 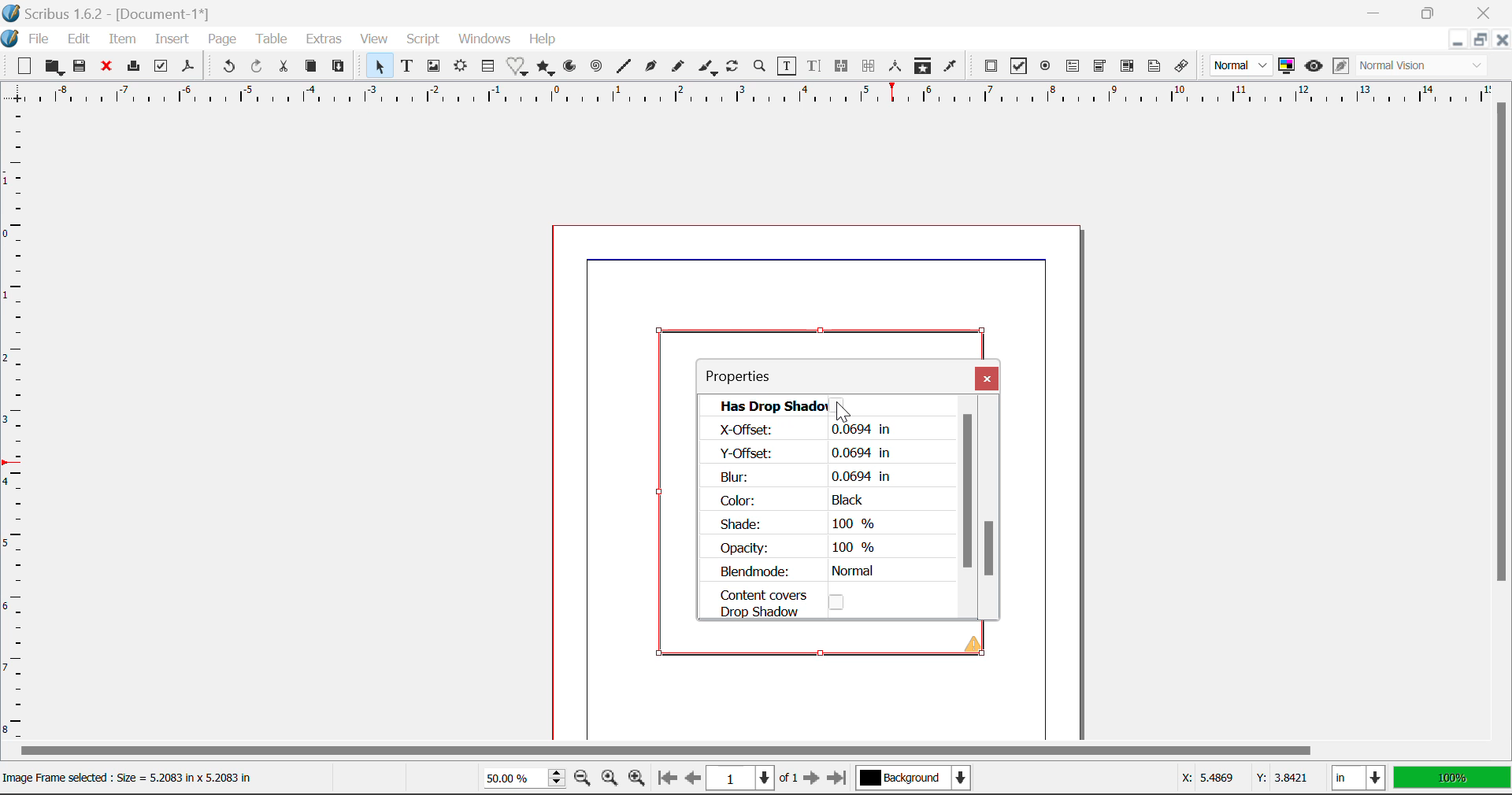 What do you see at coordinates (803, 549) in the screenshot?
I see `Opacity: 100 %` at bounding box center [803, 549].